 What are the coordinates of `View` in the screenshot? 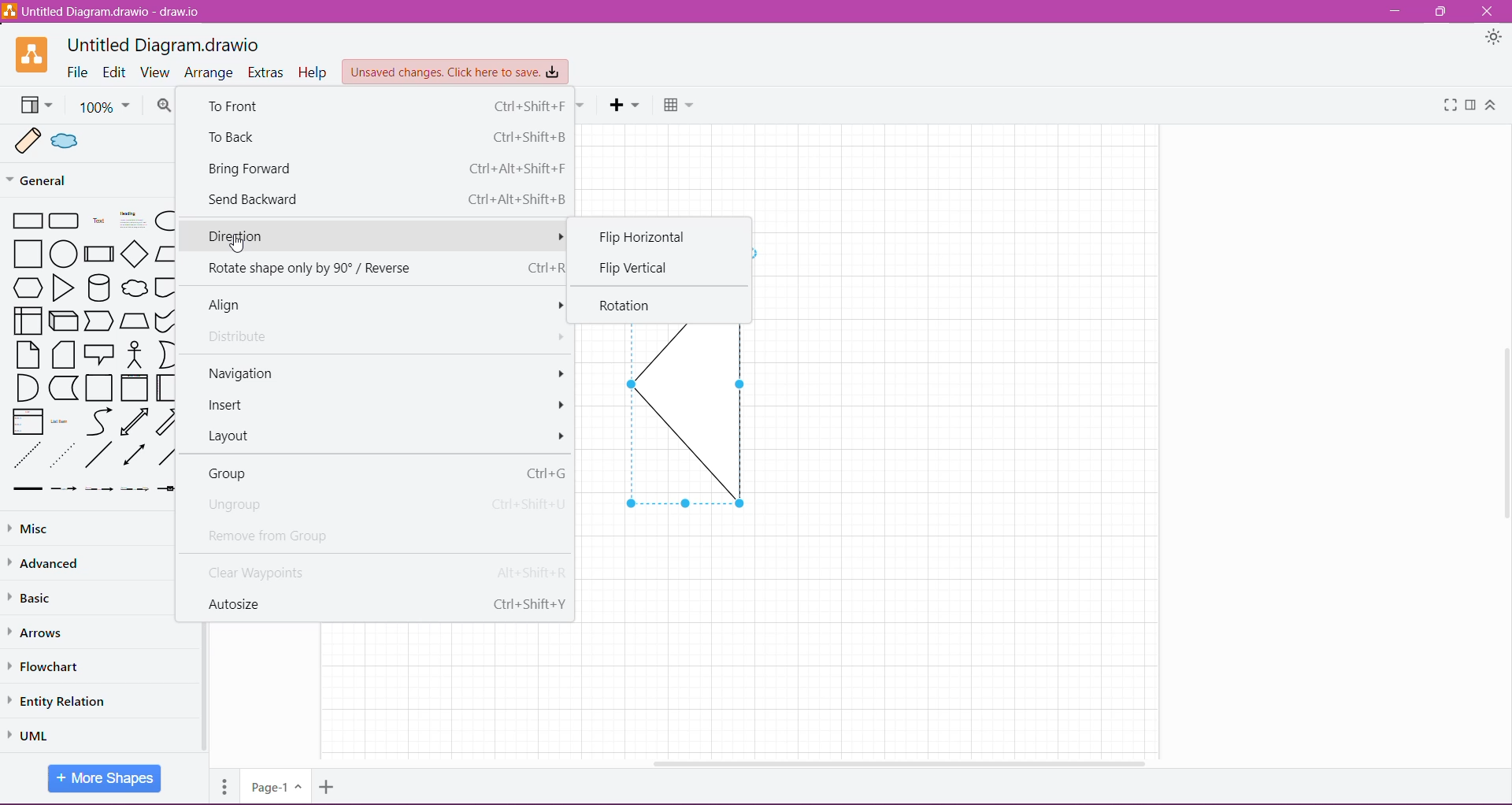 It's located at (157, 72).